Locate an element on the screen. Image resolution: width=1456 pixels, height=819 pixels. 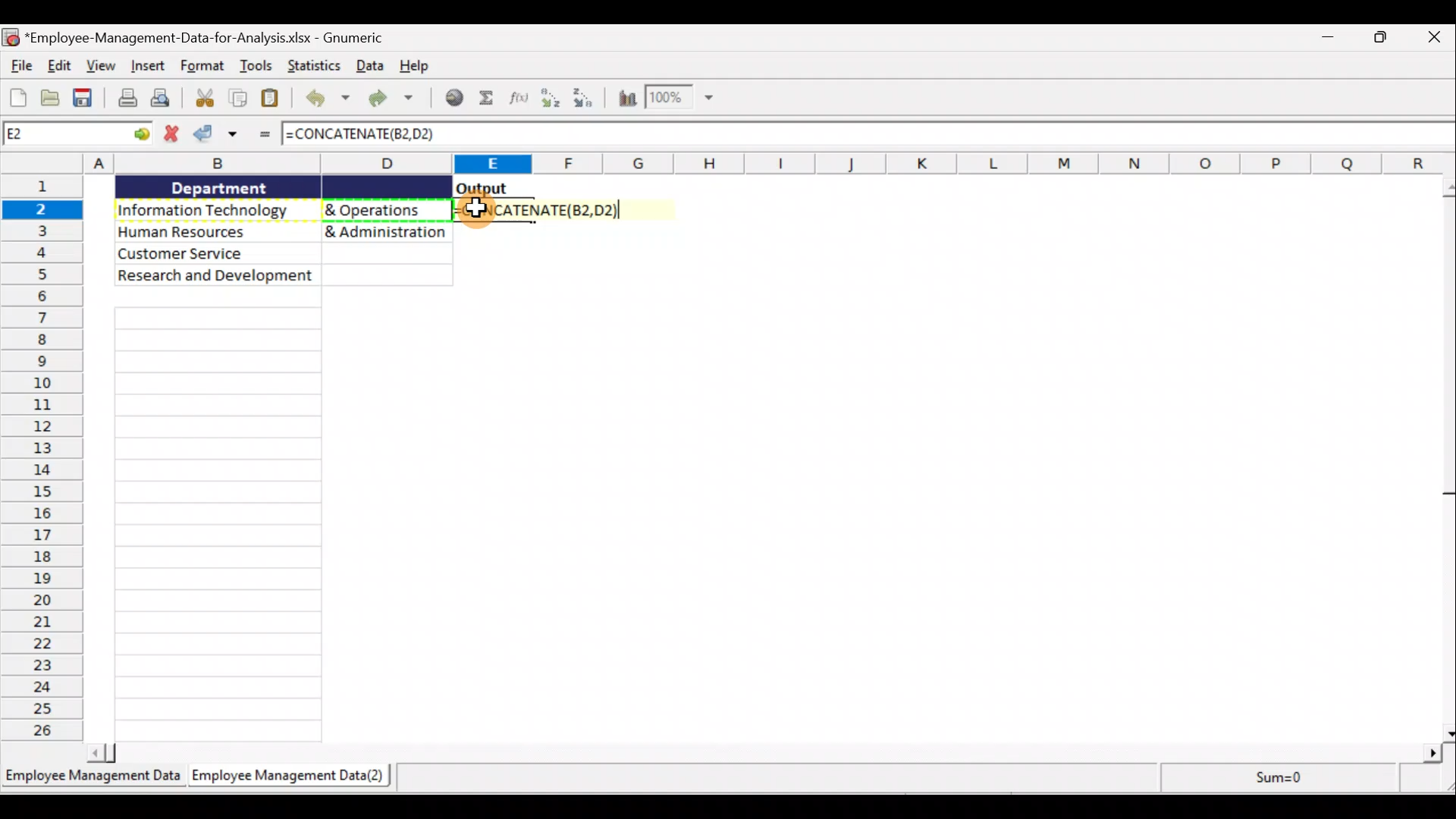
Undo last action is located at coordinates (327, 101).